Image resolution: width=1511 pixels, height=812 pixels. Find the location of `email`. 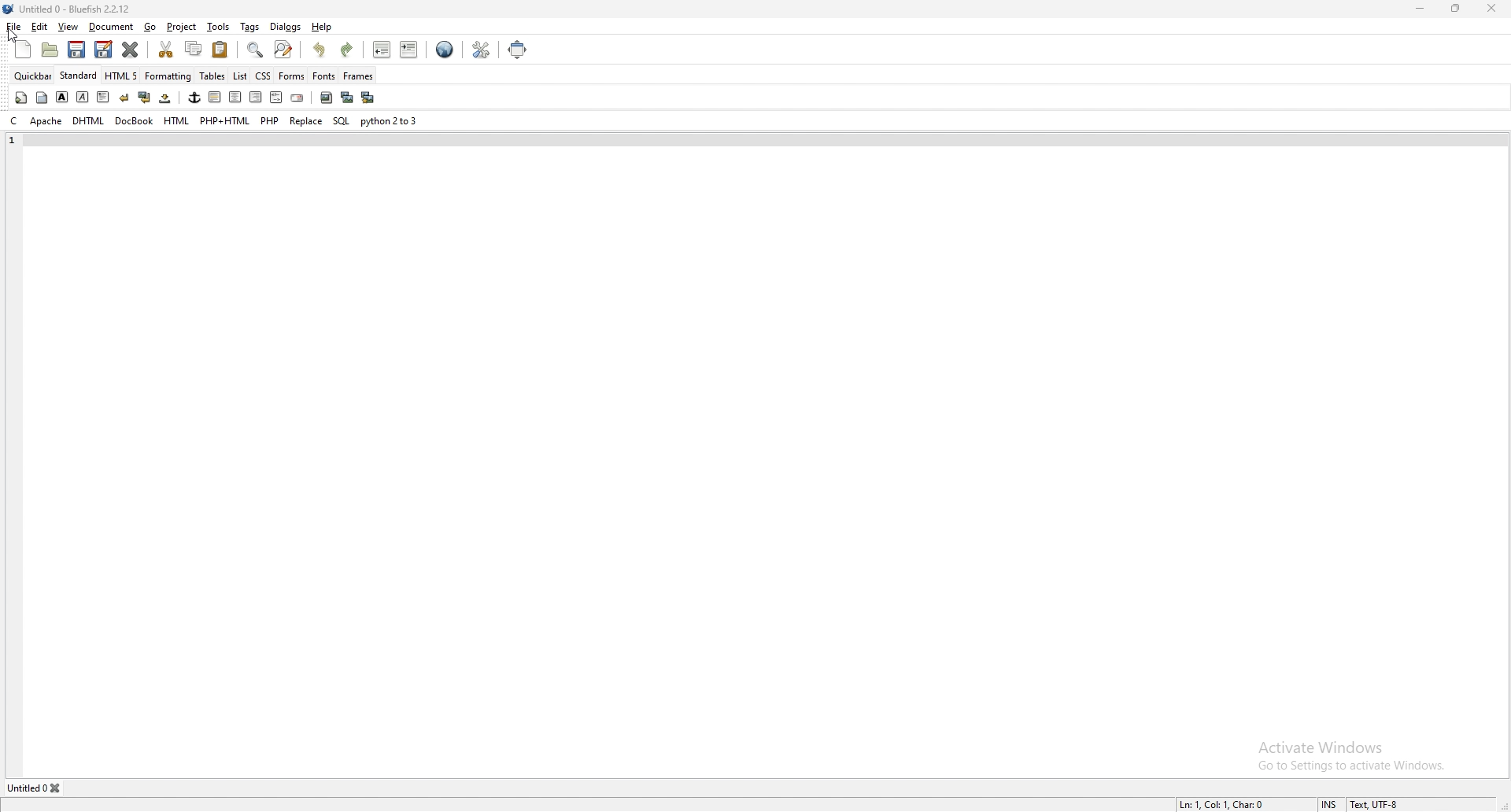

email is located at coordinates (298, 98).